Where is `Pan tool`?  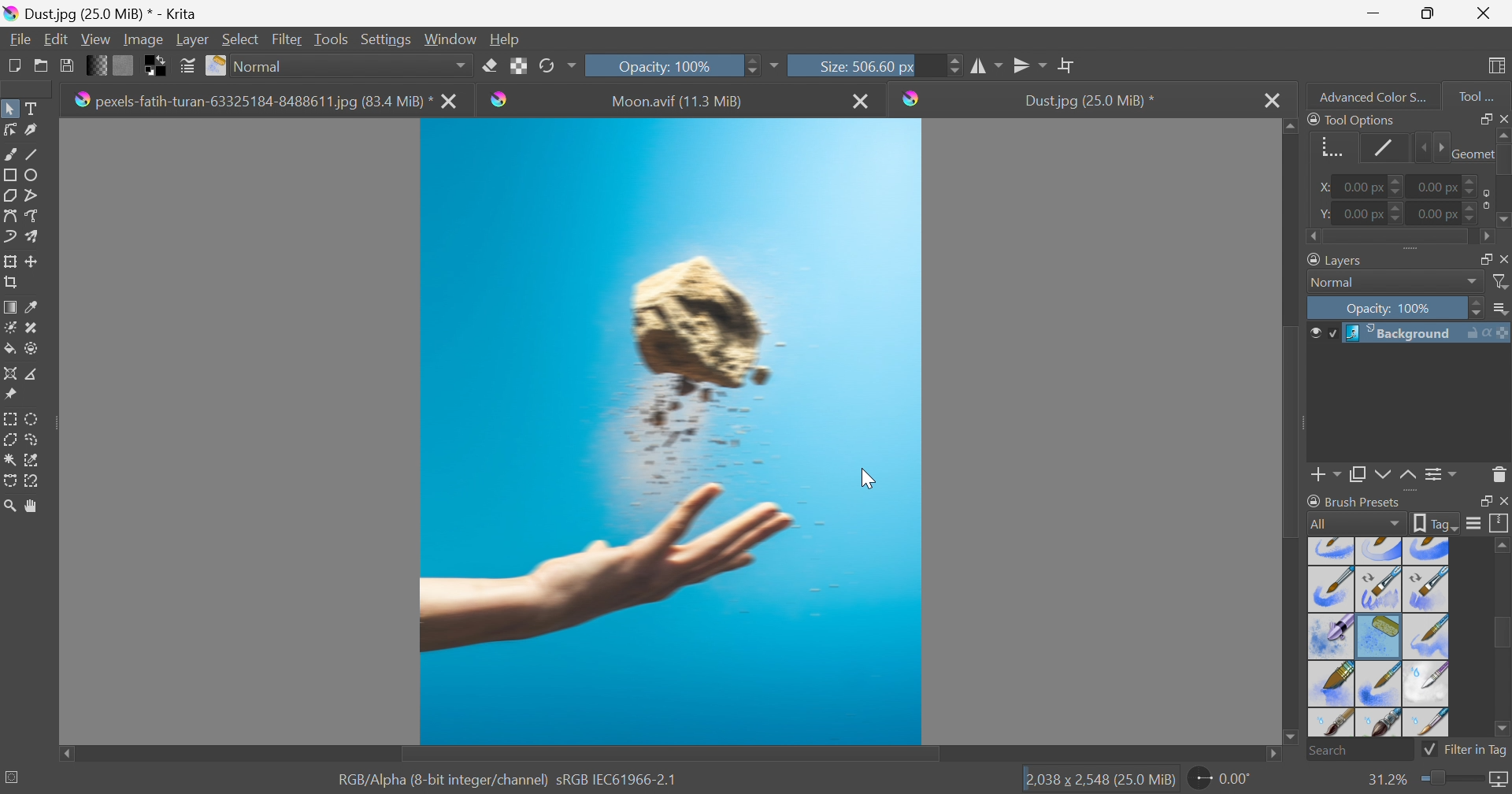 Pan tool is located at coordinates (32, 506).